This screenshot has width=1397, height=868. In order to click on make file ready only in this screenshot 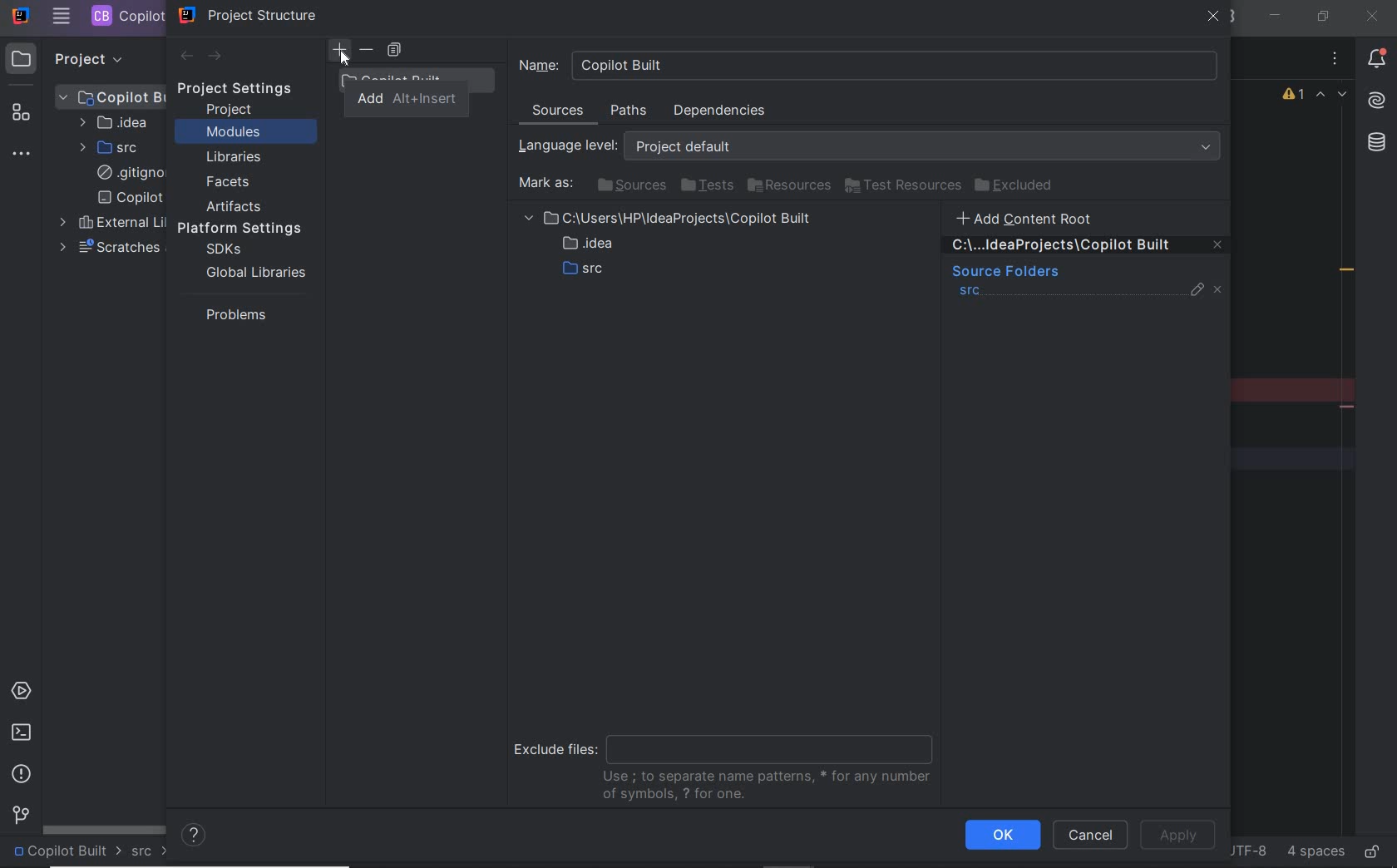, I will do `click(1371, 851)`.